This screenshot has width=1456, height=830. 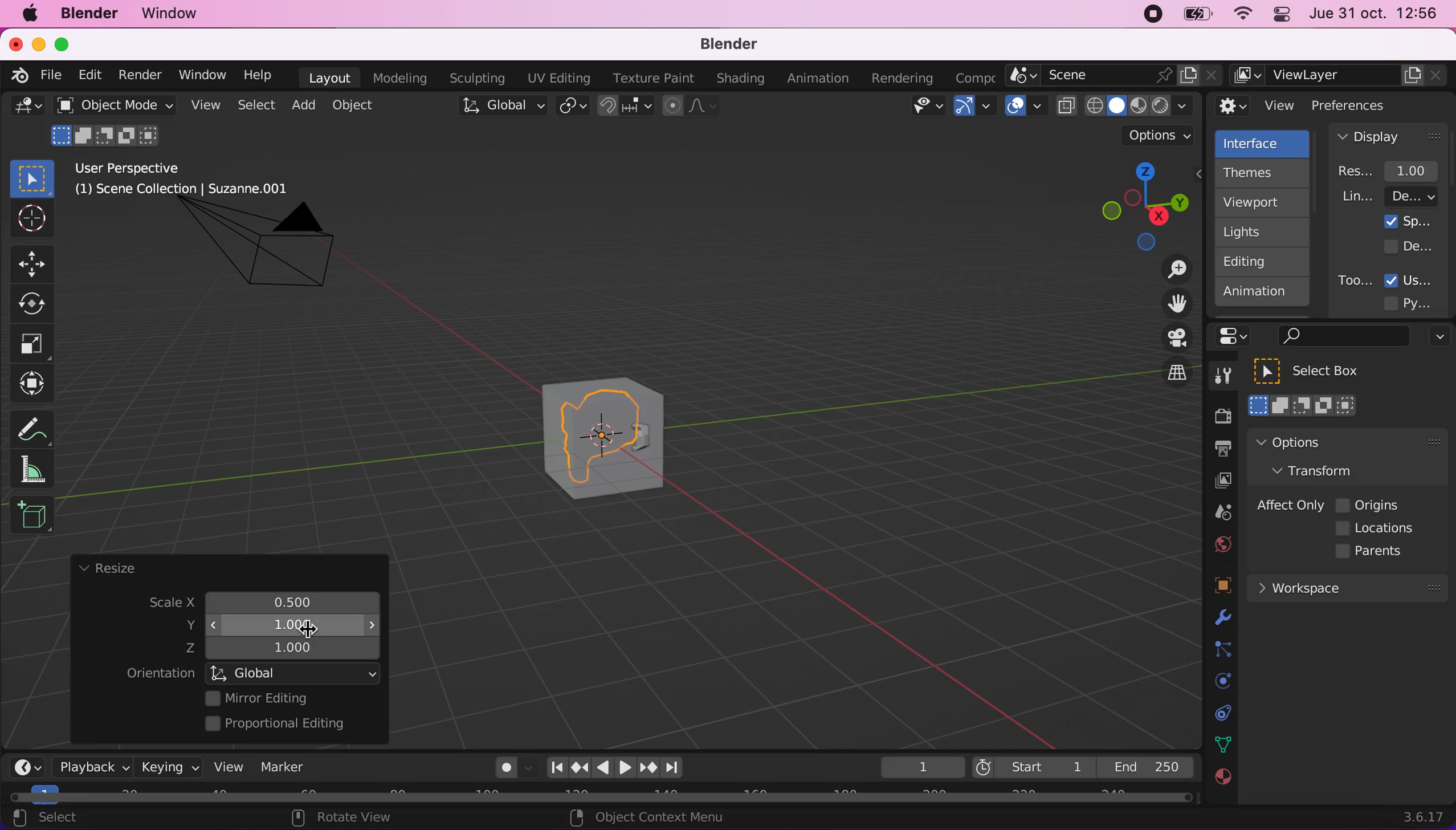 I want to click on physics prompts, so click(x=1216, y=682).